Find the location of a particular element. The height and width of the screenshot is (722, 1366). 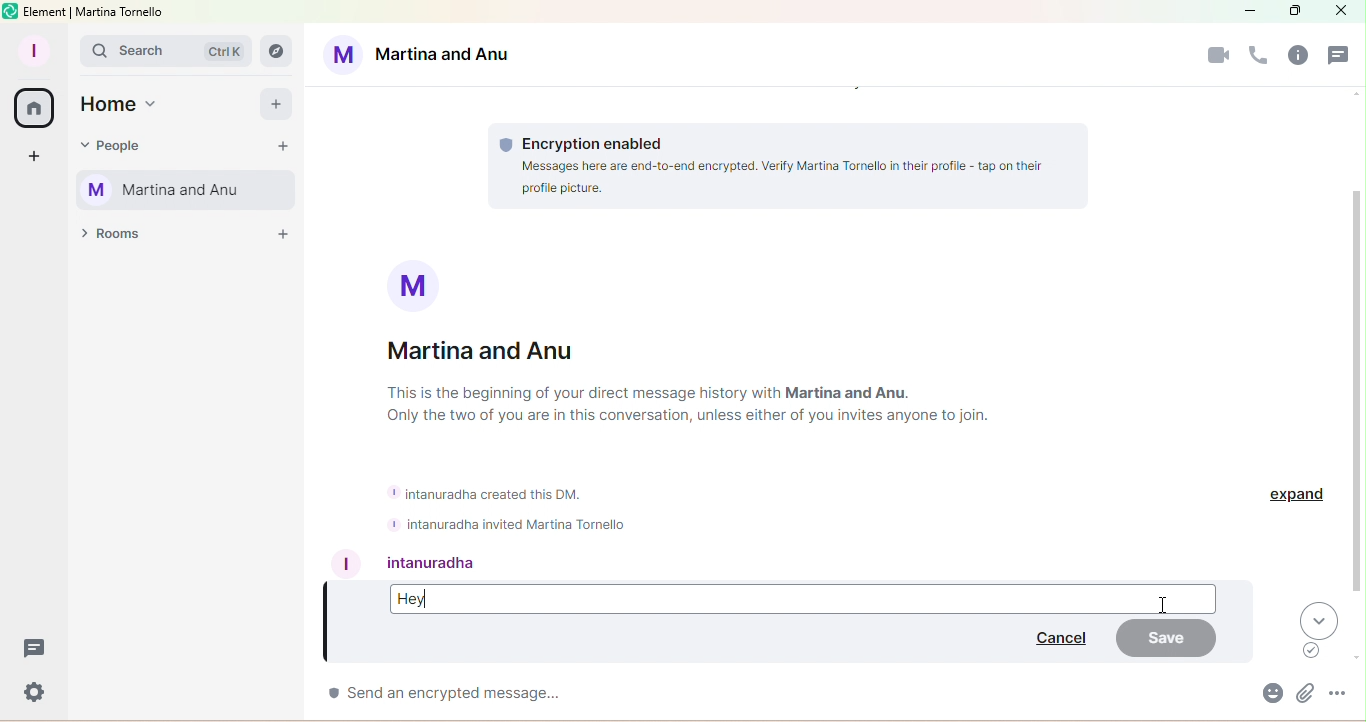

Home is located at coordinates (124, 105).